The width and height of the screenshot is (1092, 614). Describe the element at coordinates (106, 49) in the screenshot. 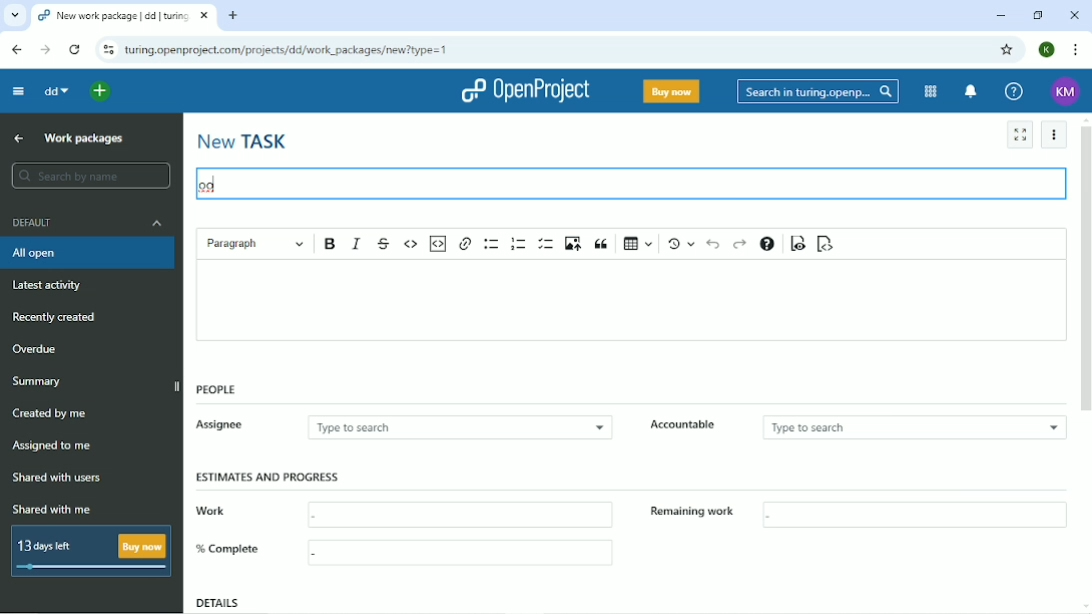

I see `View site information` at that location.